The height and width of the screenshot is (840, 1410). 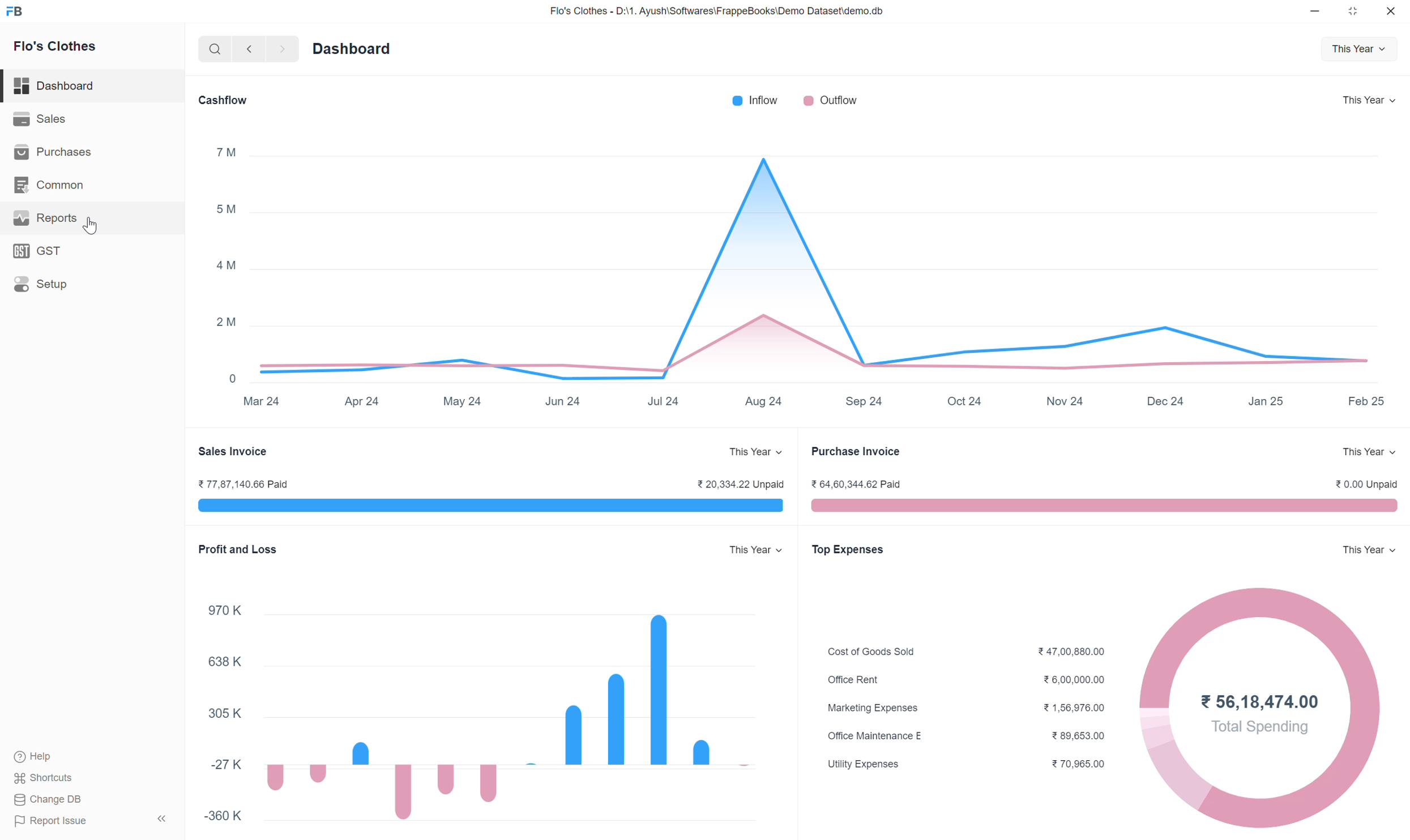 What do you see at coordinates (53, 46) in the screenshot?
I see `flo's clothes` at bounding box center [53, 46].